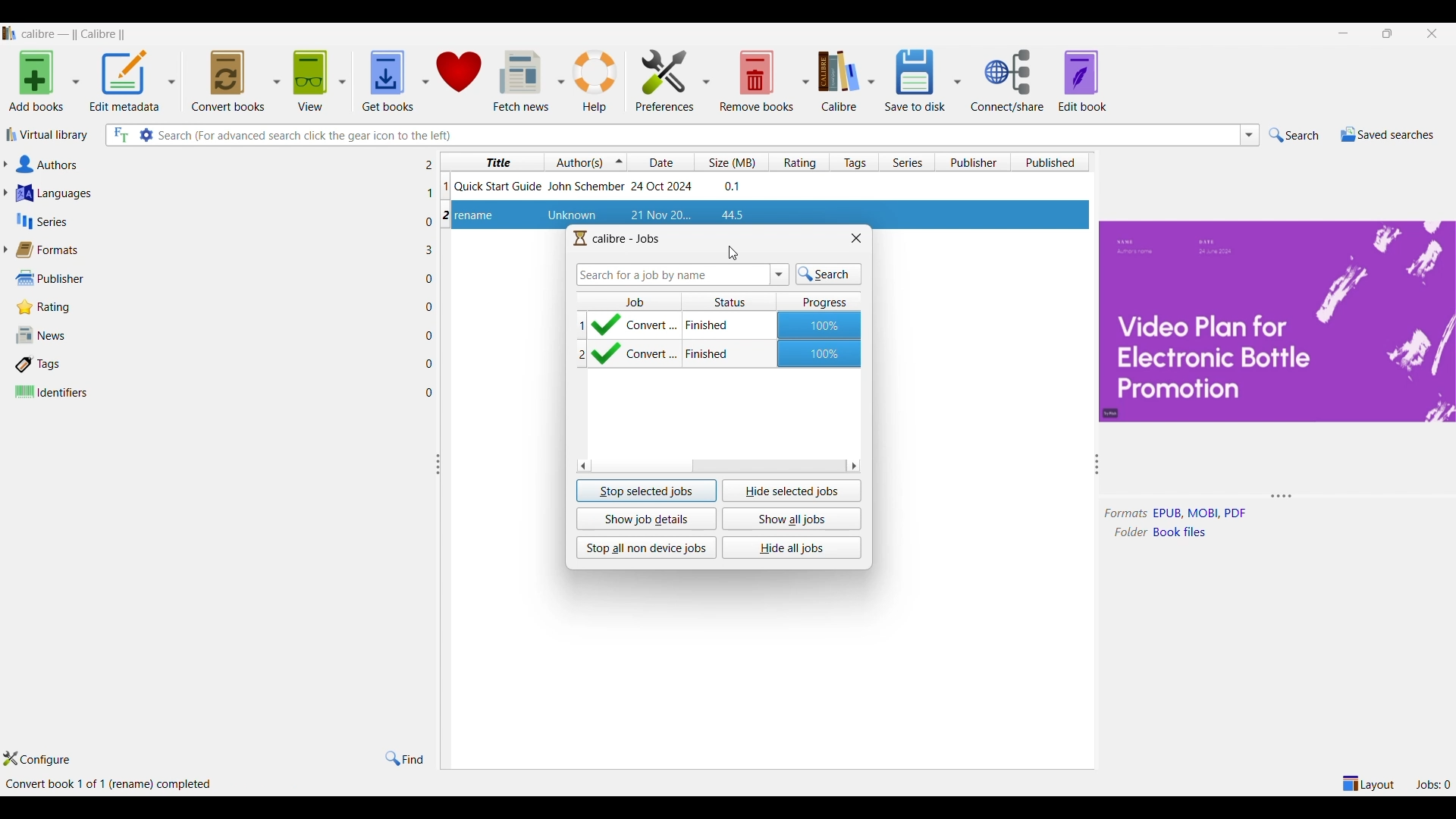 This screenshot has height=819, width=1456. What do you see at coordinates (1432, 785) in the screenshot?
I see `Jobs change` at bounding box center [1432, 785].